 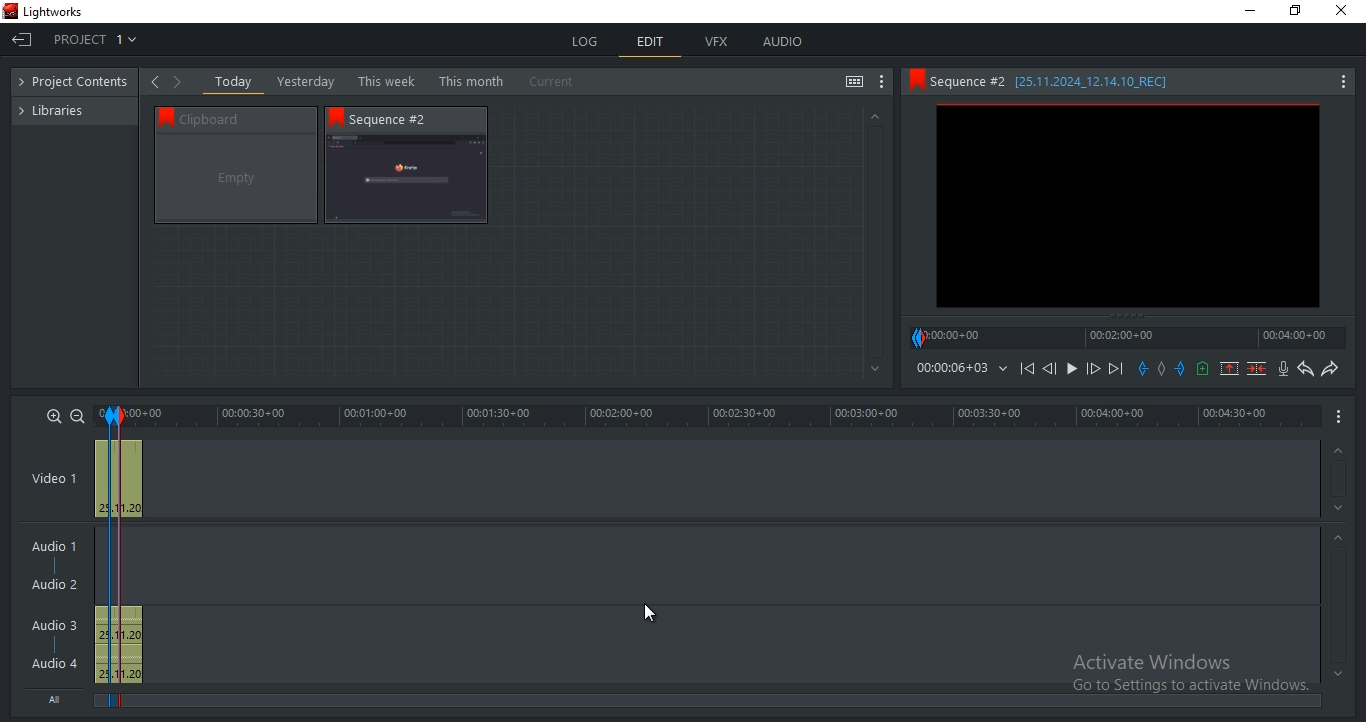 I want to click on audio, so click(x=782, y=41).